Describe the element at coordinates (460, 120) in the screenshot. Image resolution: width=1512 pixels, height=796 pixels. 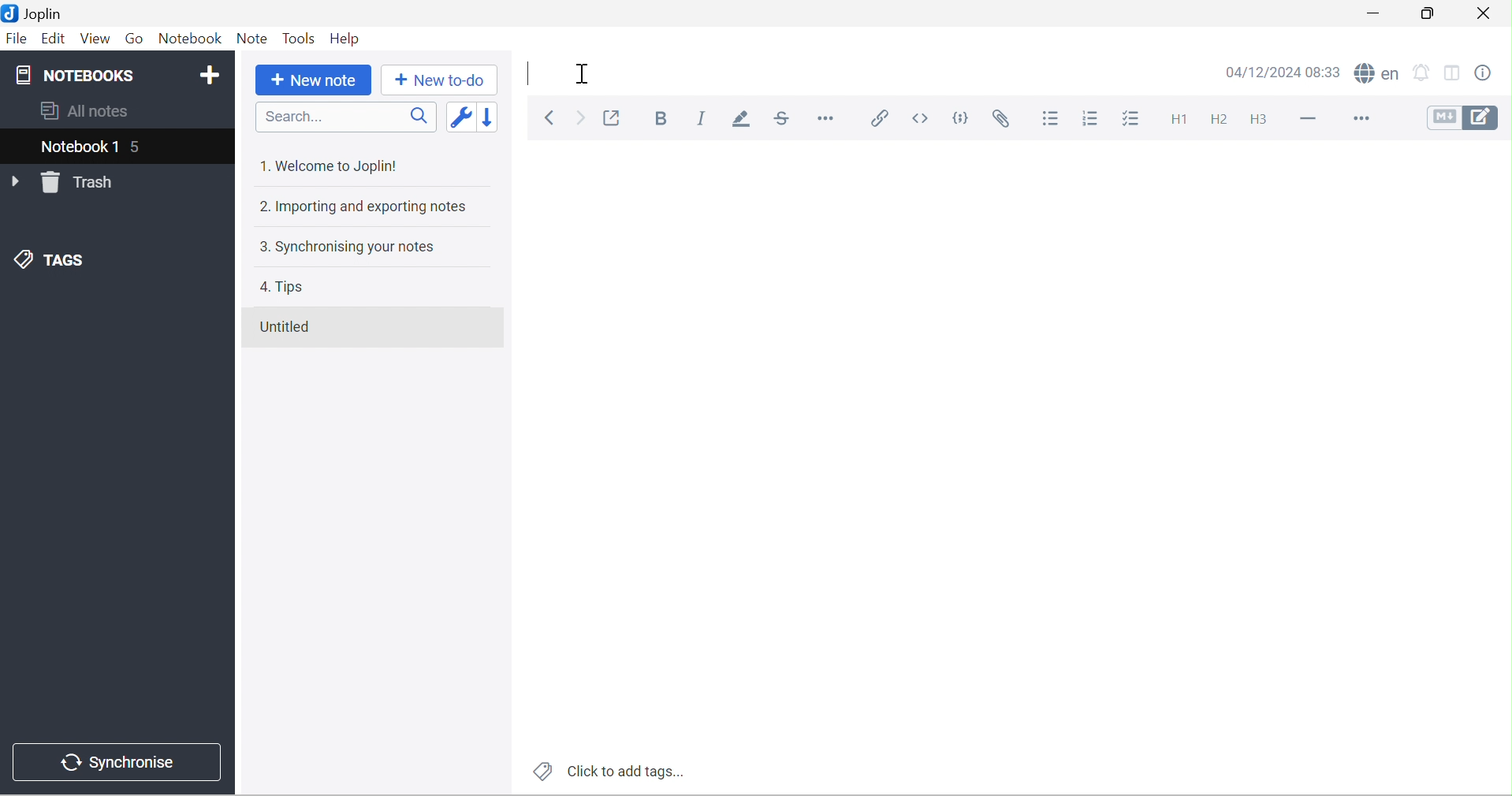
I see `Toggle sort order field` at that location.